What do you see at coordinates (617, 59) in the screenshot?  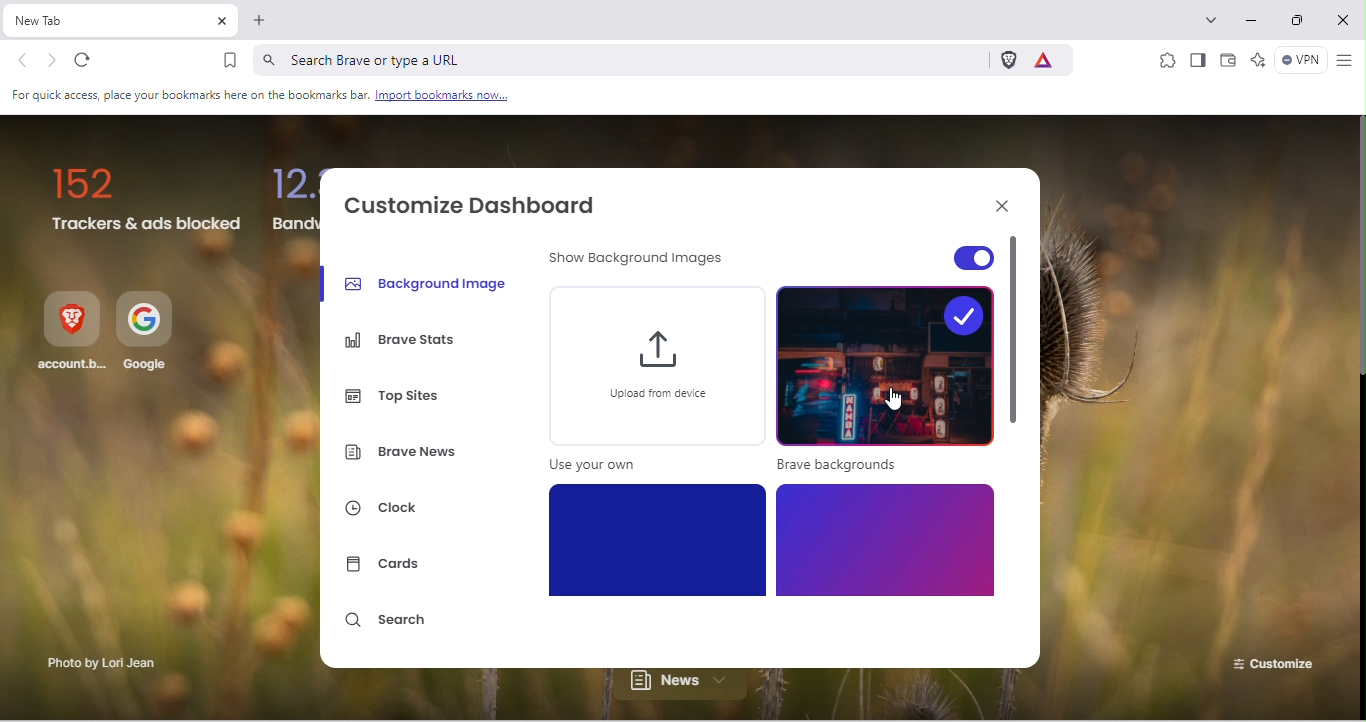 I see `Search bar` at bounding box center [617, 59].